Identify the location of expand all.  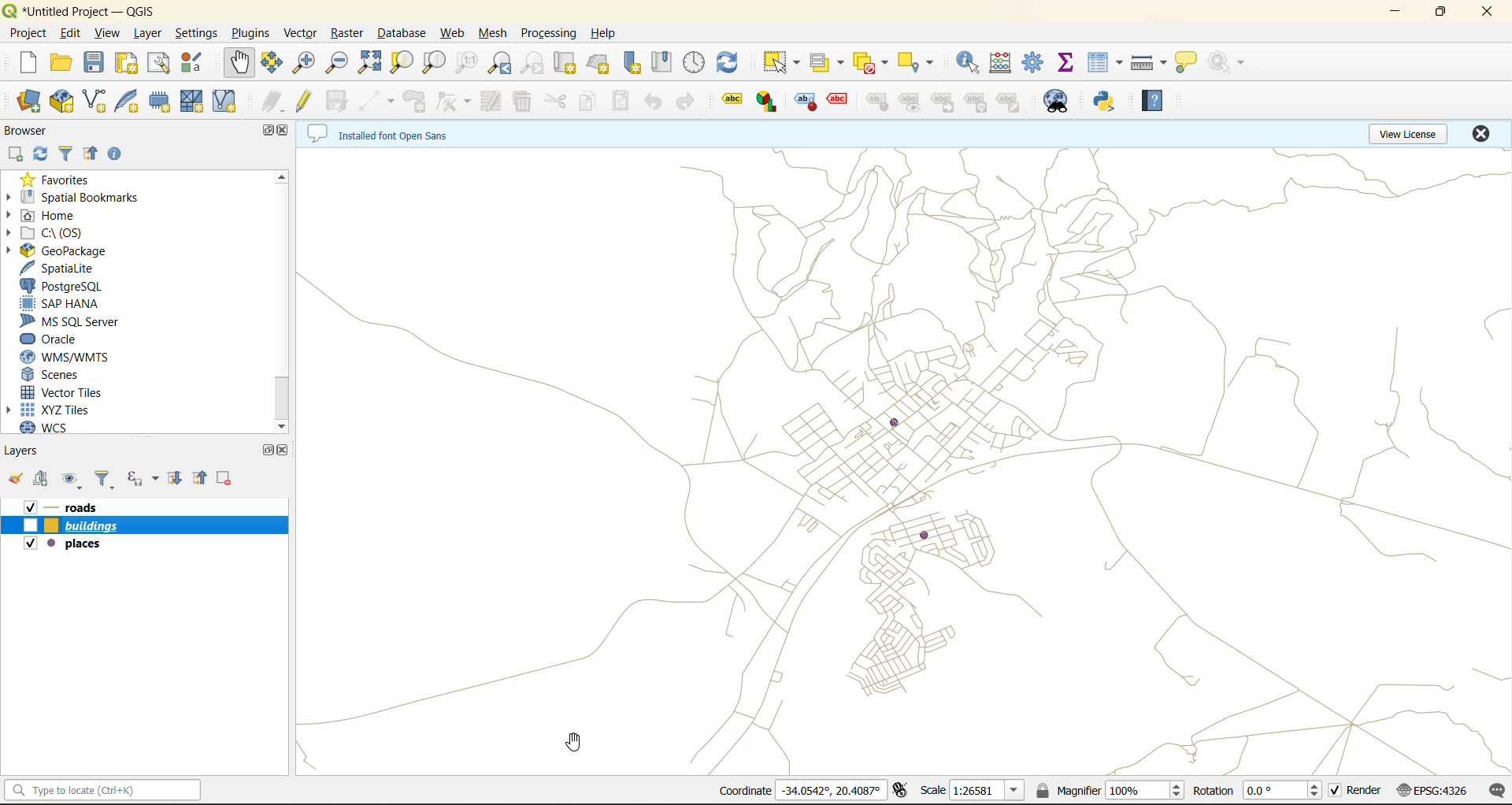
(176, 477).